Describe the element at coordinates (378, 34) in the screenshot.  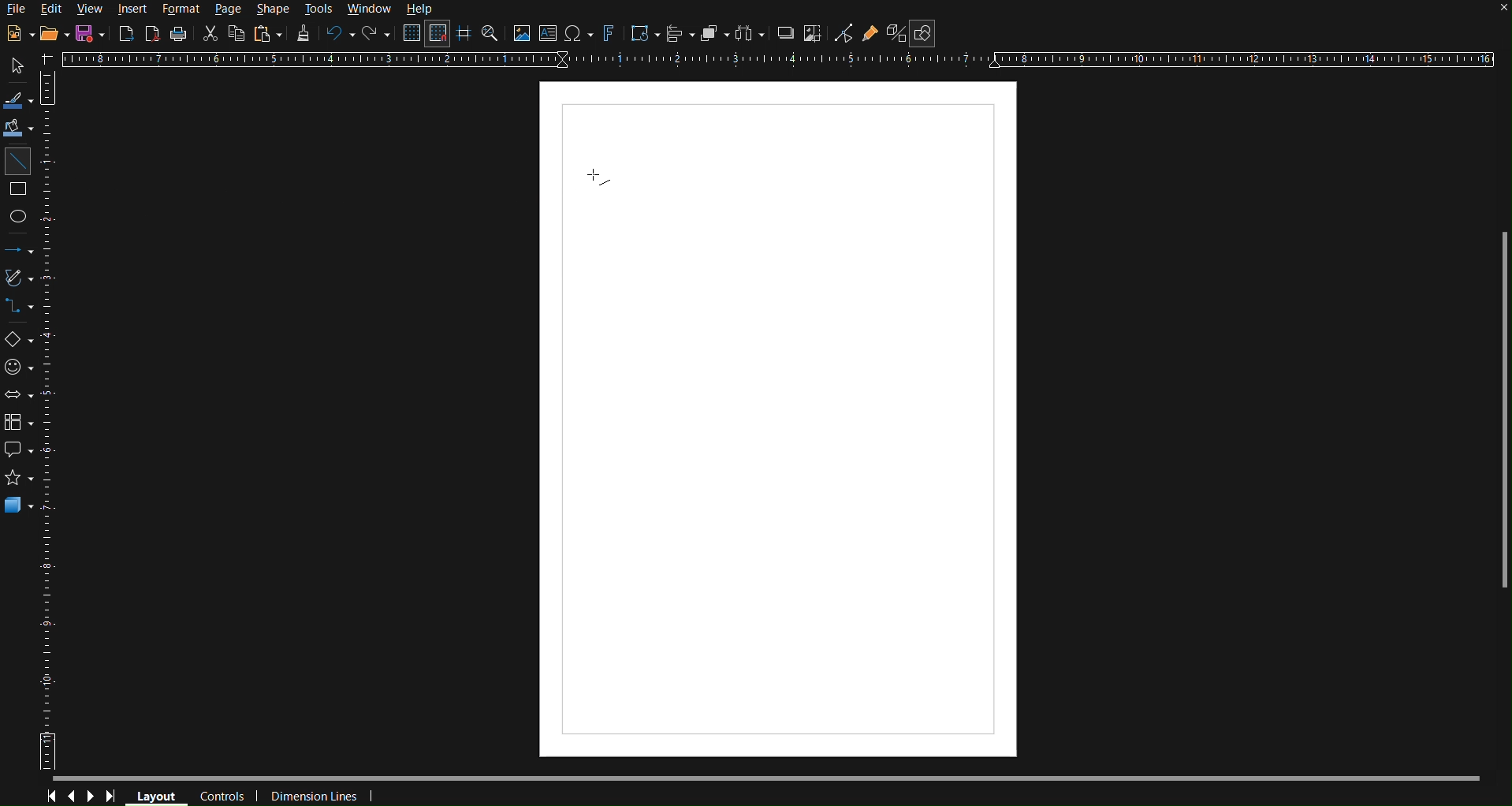
I see `Redo` at that location.